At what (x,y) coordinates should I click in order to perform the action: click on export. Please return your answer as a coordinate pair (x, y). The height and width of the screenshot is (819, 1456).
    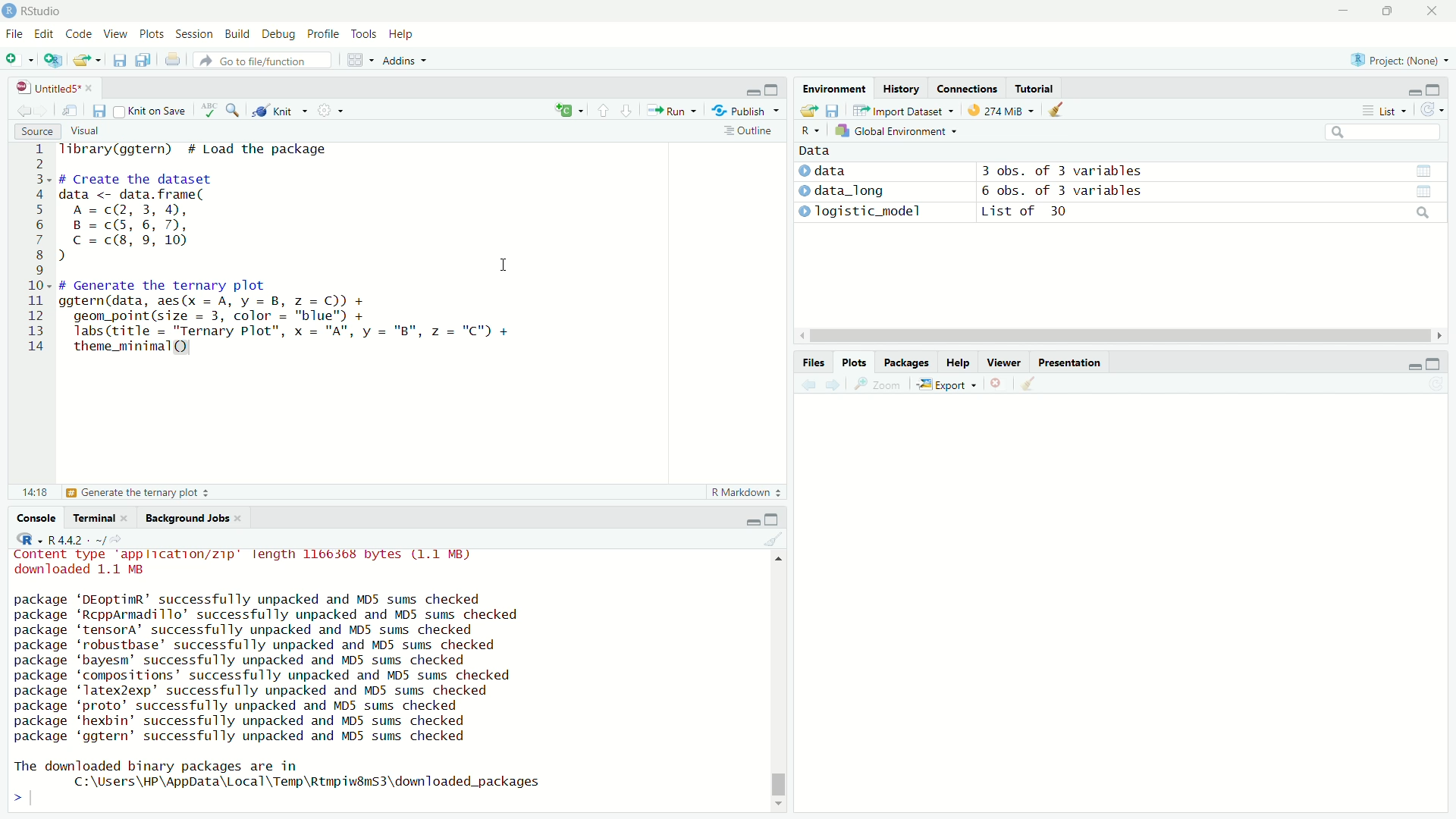
    Looking at the image, I should click on (807, 111).